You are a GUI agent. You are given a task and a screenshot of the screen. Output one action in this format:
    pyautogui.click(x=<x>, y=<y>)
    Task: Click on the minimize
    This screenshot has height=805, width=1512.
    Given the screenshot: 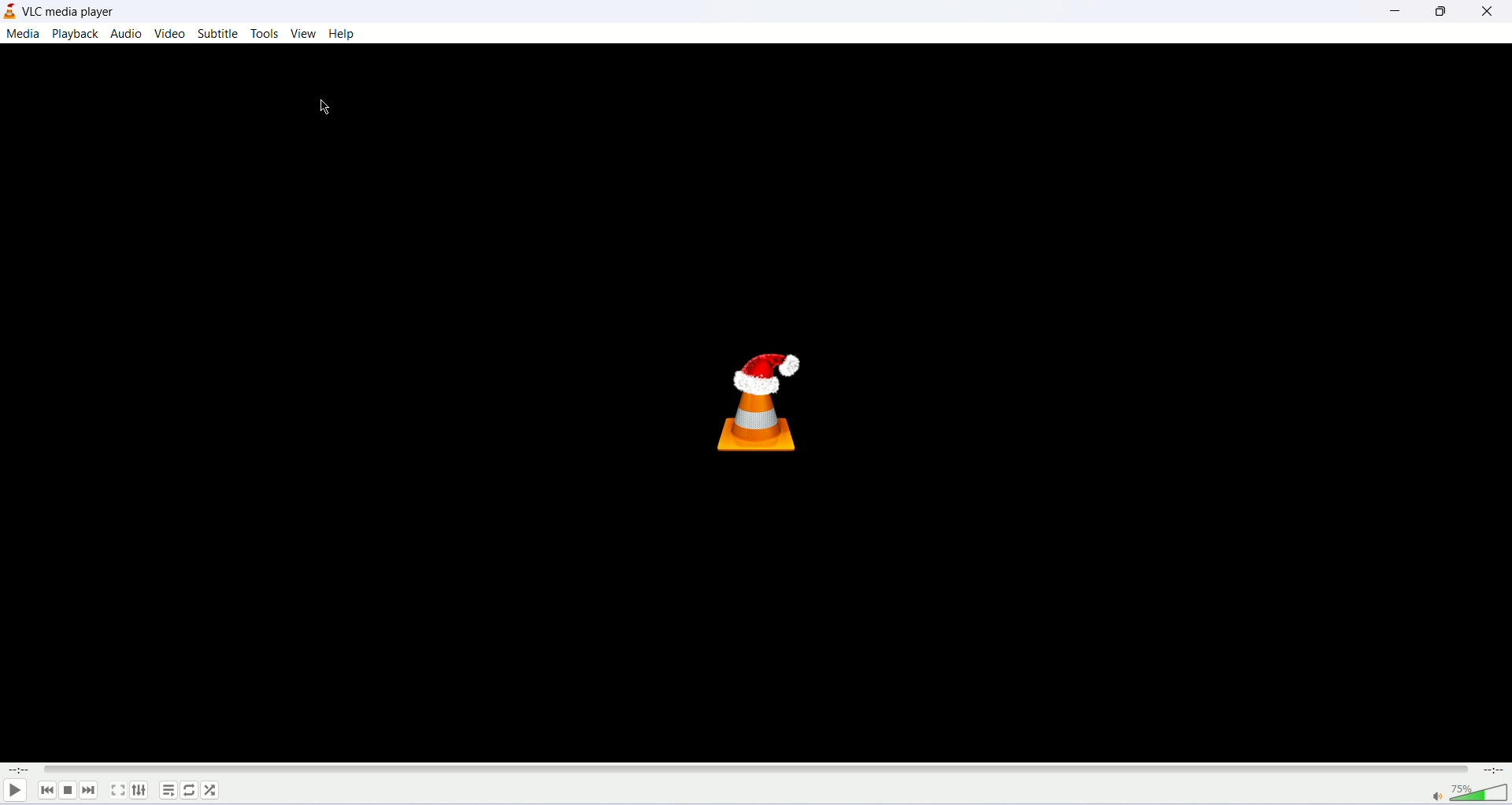 What is the action you would take?
    pyautogui.click(x=1395, y=13)
    